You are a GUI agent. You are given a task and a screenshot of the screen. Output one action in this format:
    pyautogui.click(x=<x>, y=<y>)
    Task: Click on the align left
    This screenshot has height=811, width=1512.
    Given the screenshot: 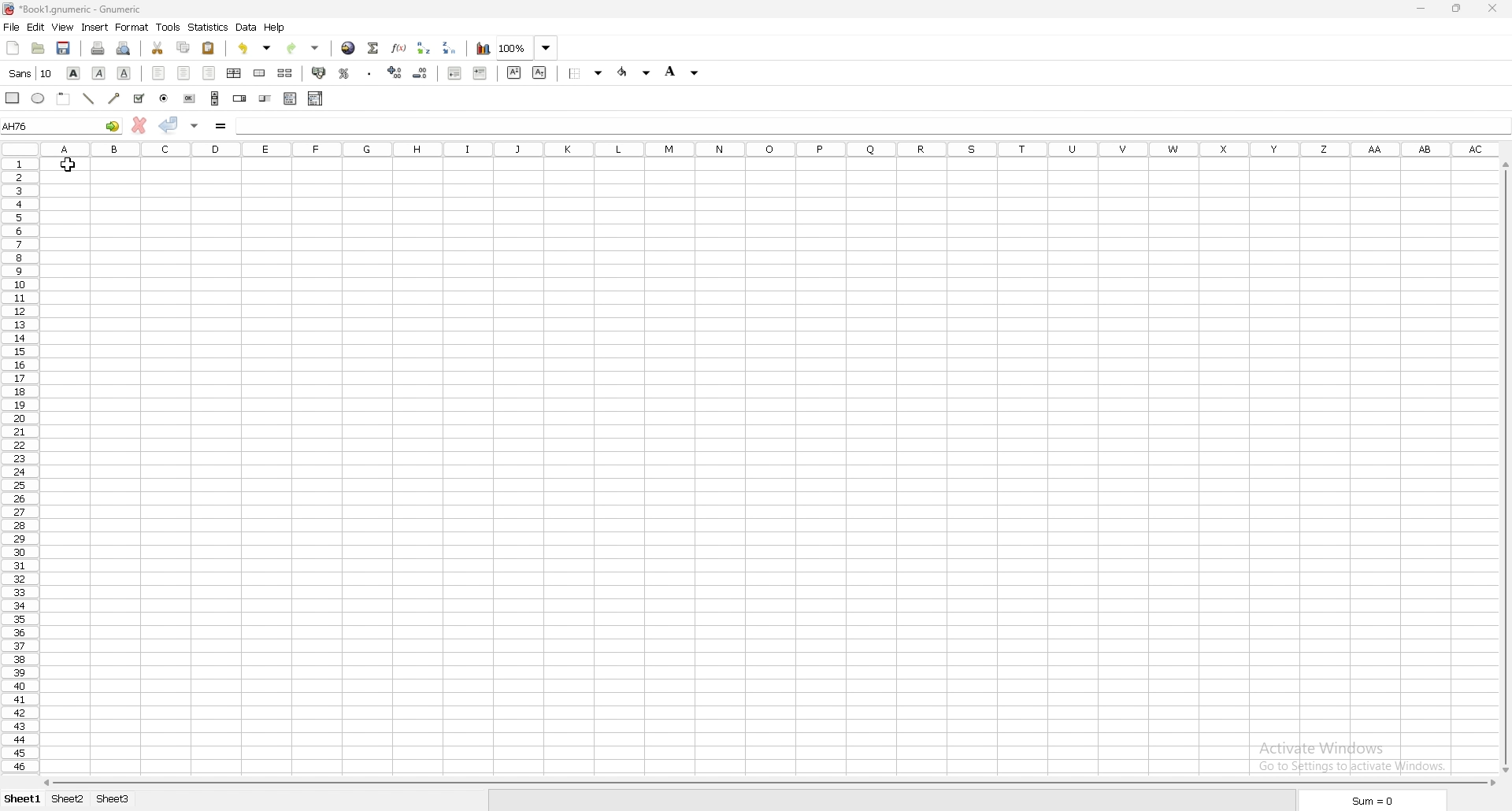 What is the action you would take?
    pyautogui.click(x=158, y=73)
    